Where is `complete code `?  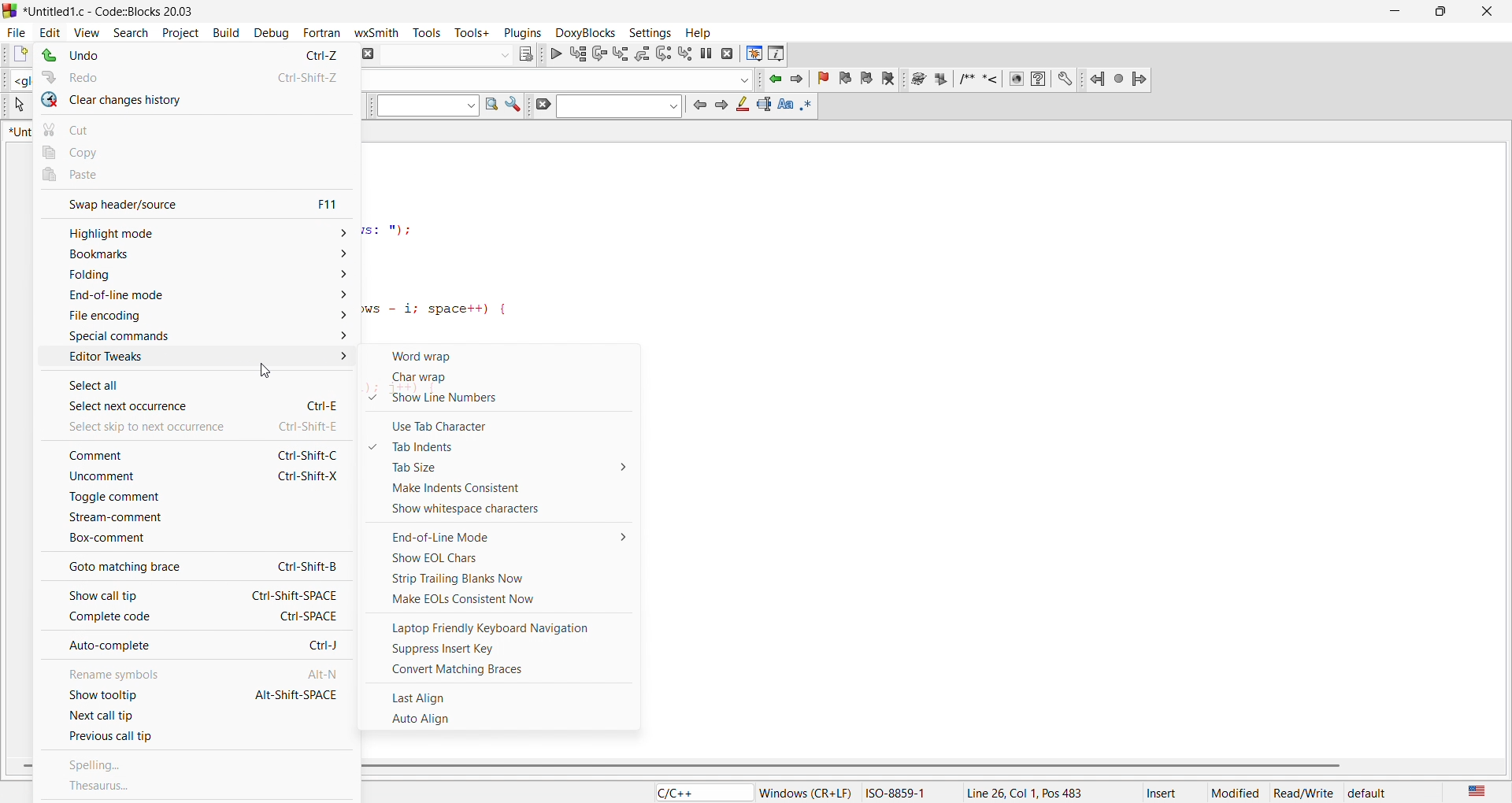 complete code  is located at coordinates (130, 619).